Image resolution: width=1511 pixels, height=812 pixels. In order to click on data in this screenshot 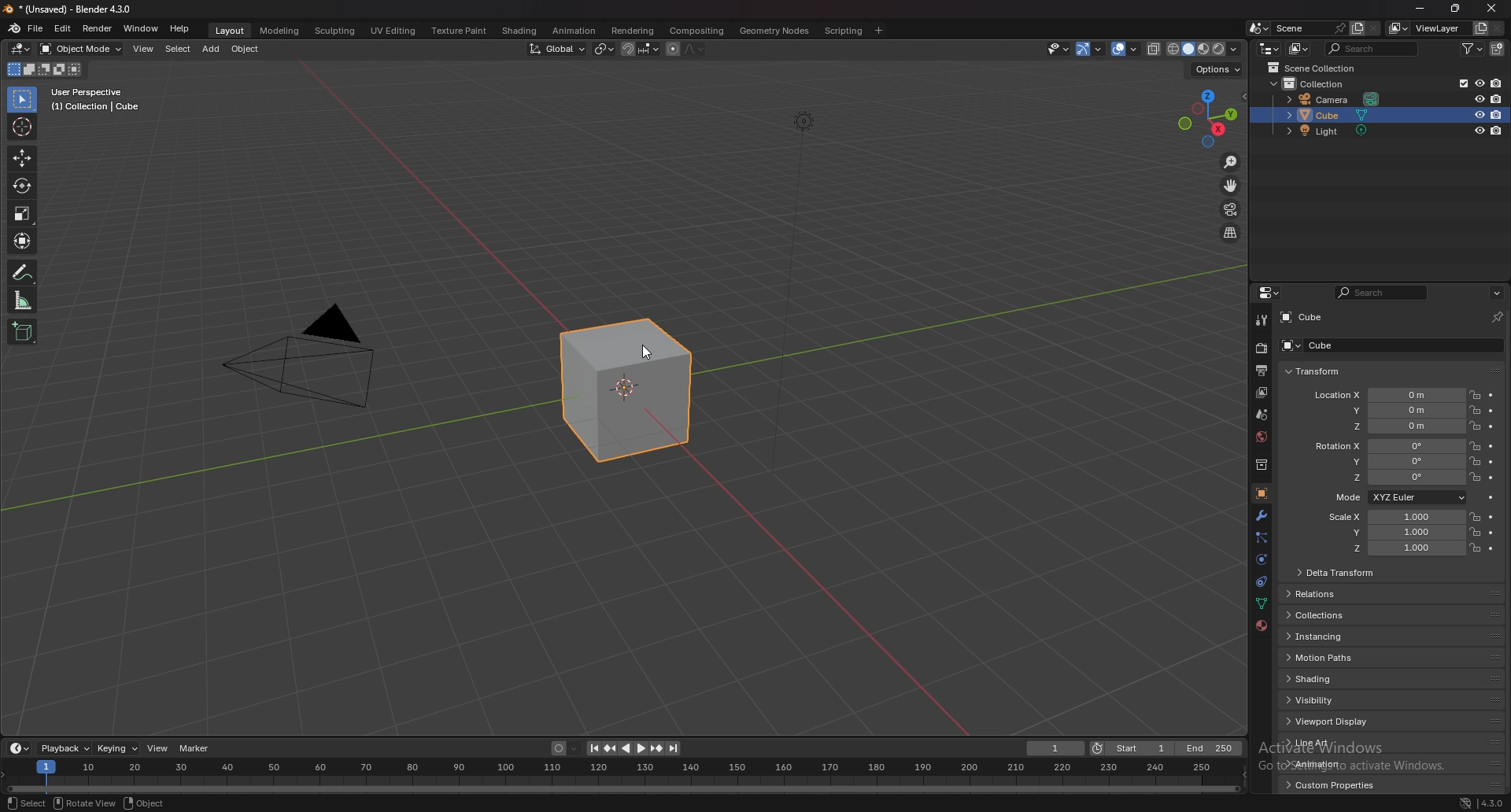, I will do `click(1260, 605)`.